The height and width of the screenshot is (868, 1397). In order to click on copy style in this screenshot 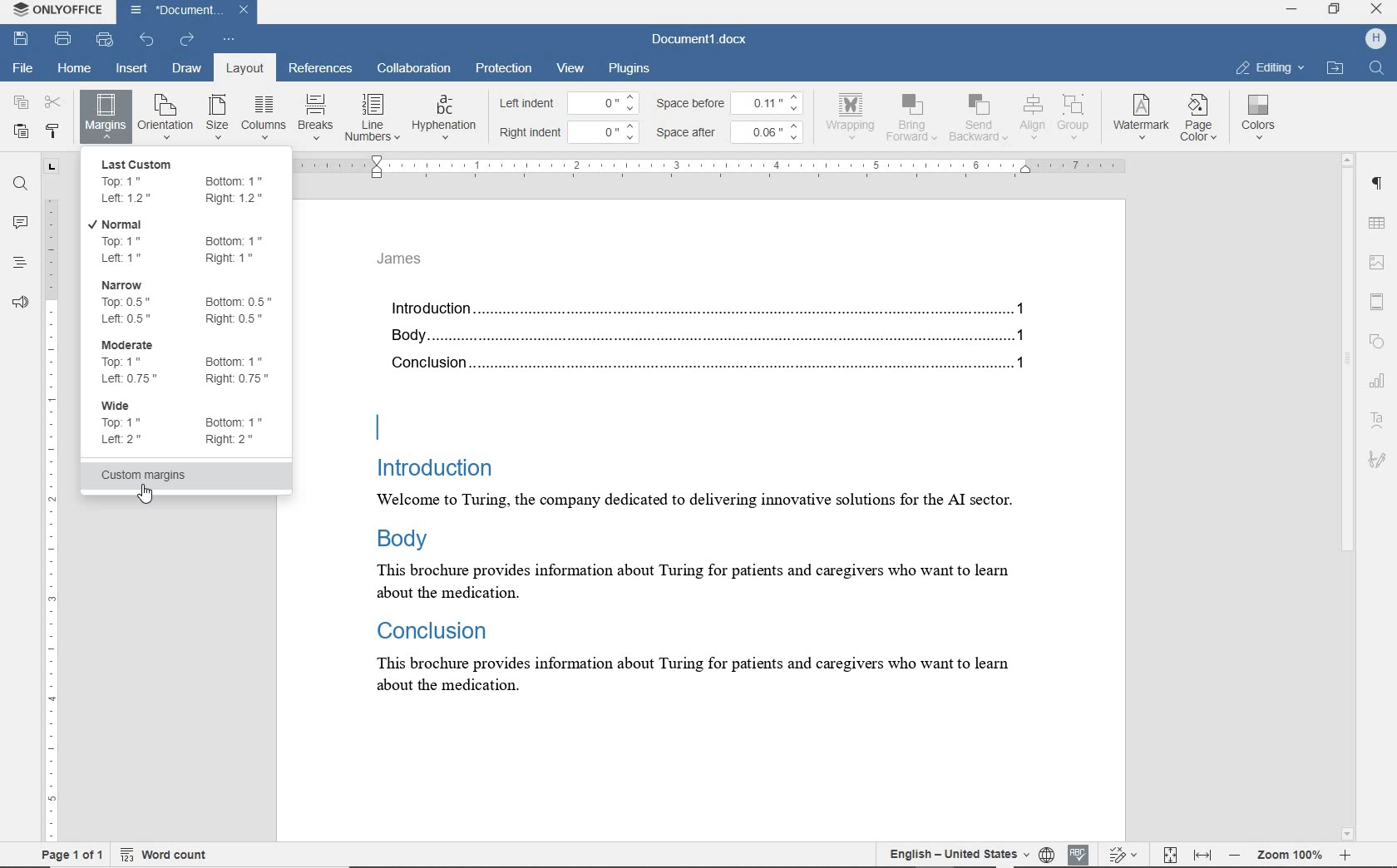, I will do `click(53, 132)`.